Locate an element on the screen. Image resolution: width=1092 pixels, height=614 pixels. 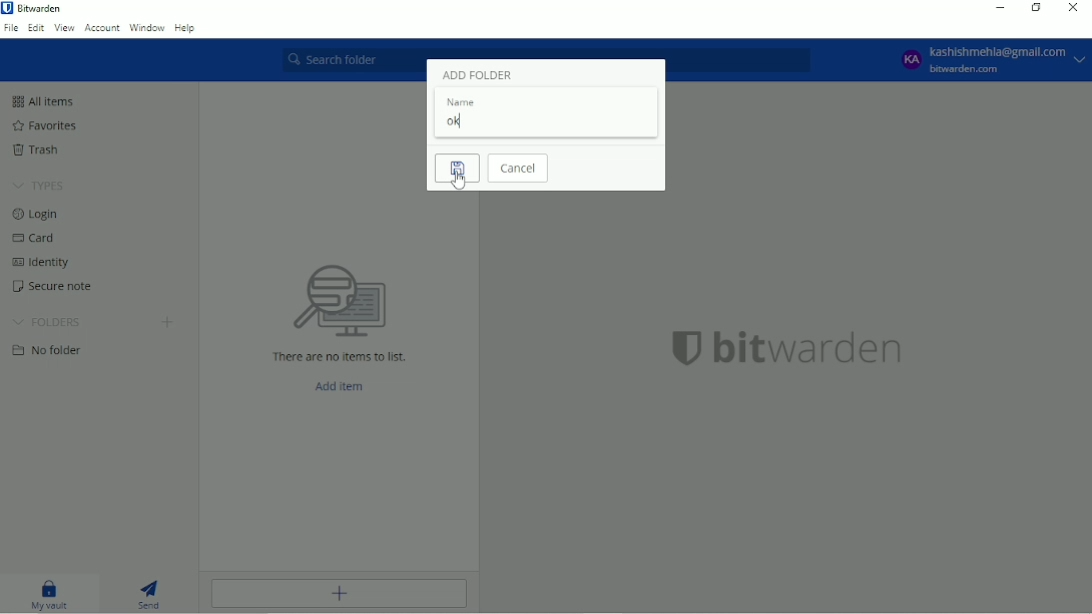
bitwarden is located at coordinates (812, 352).